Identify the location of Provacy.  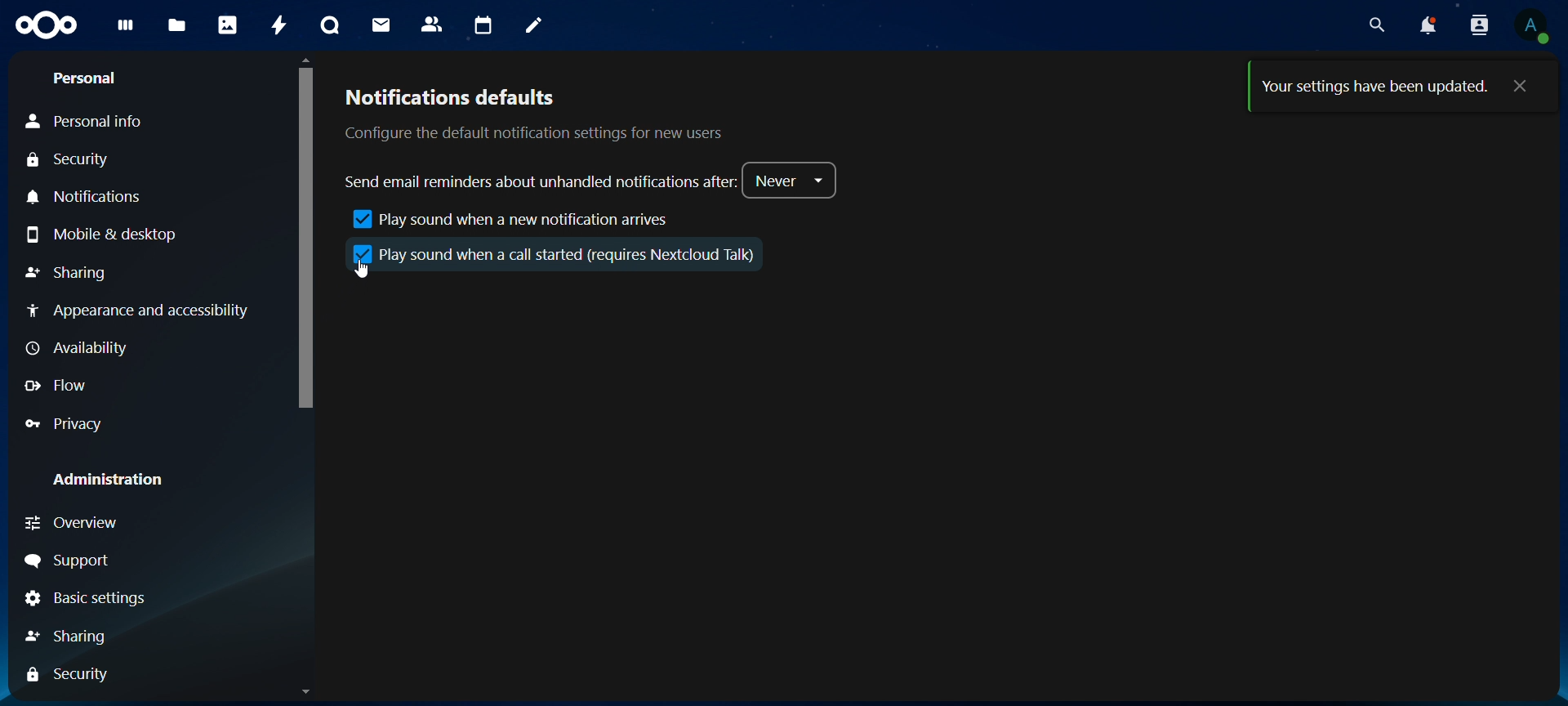
(63, 426).